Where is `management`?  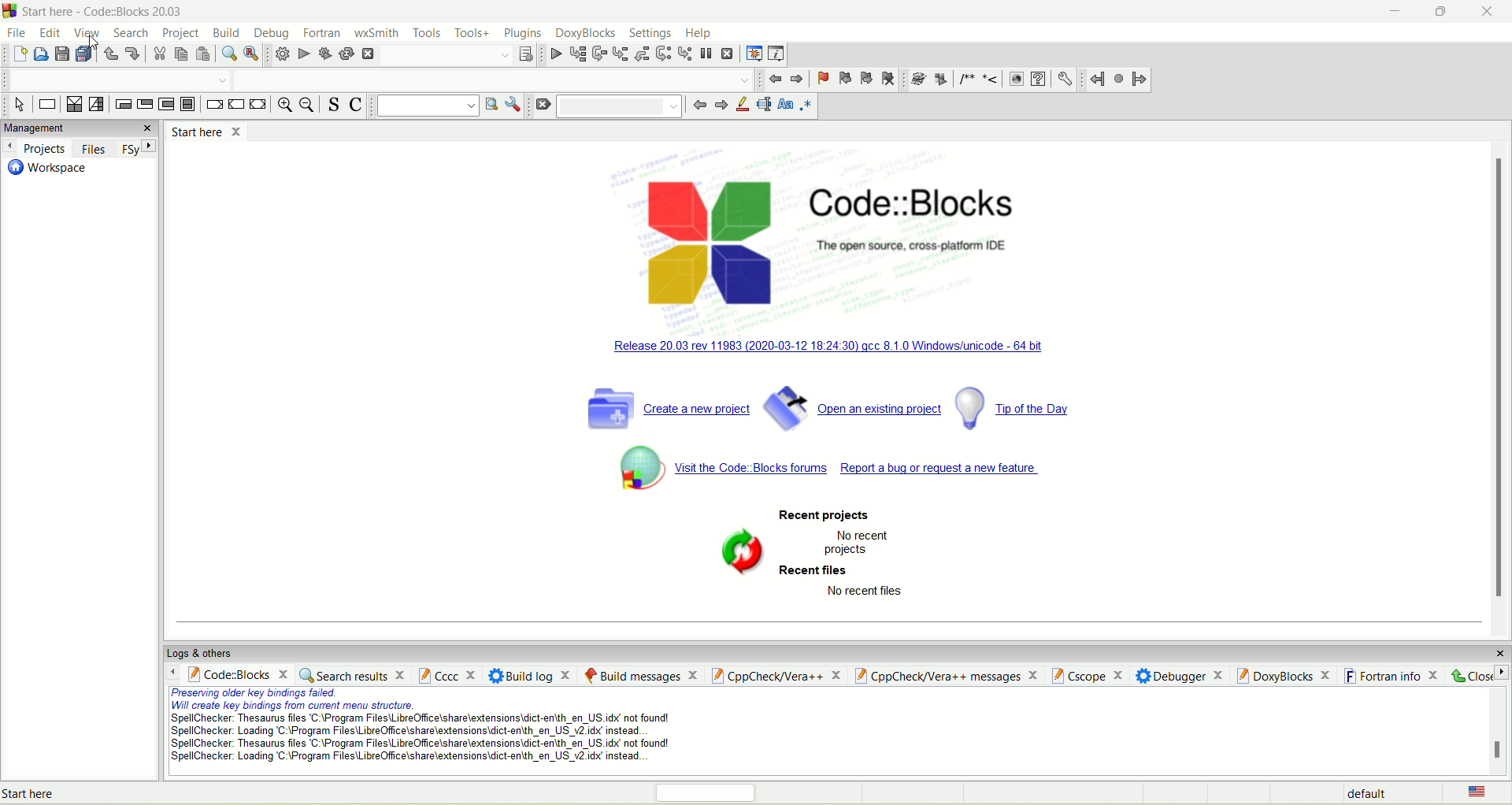
management is located at coordinates (64, 128).